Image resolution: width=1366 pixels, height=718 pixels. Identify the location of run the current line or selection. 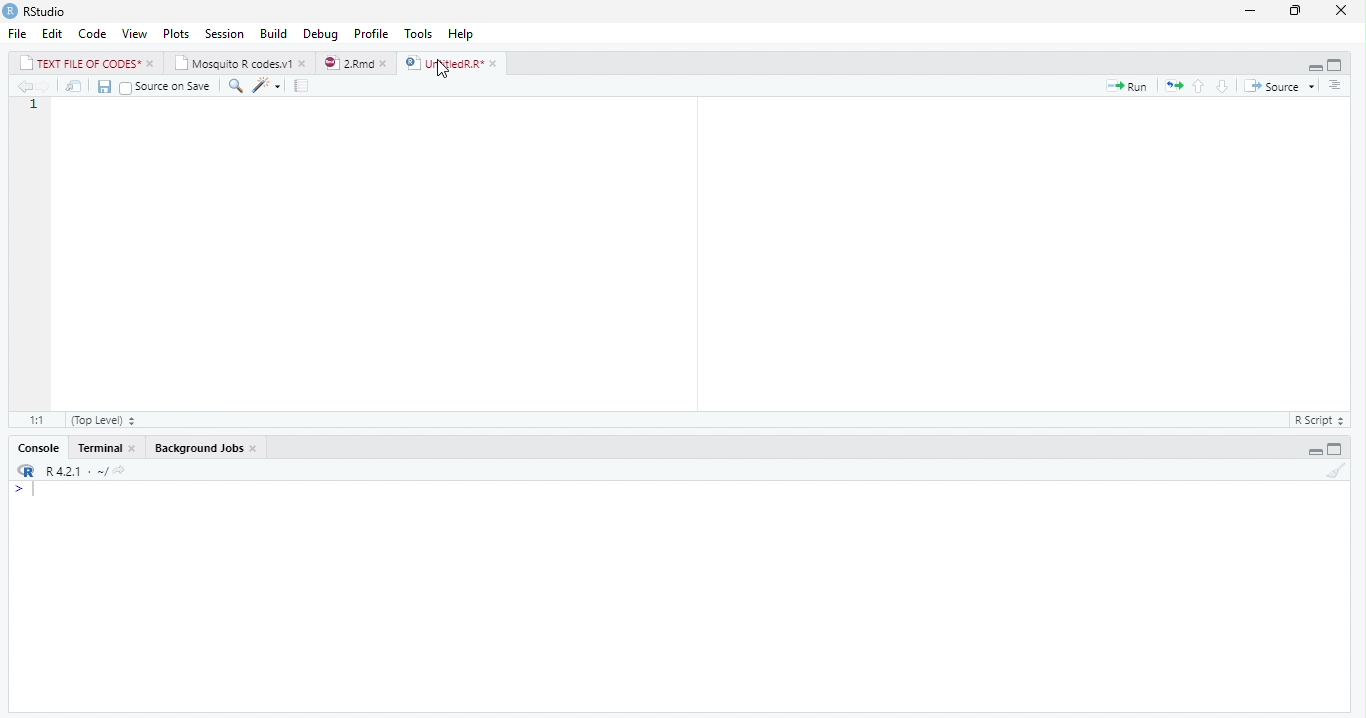
(1126, 86).